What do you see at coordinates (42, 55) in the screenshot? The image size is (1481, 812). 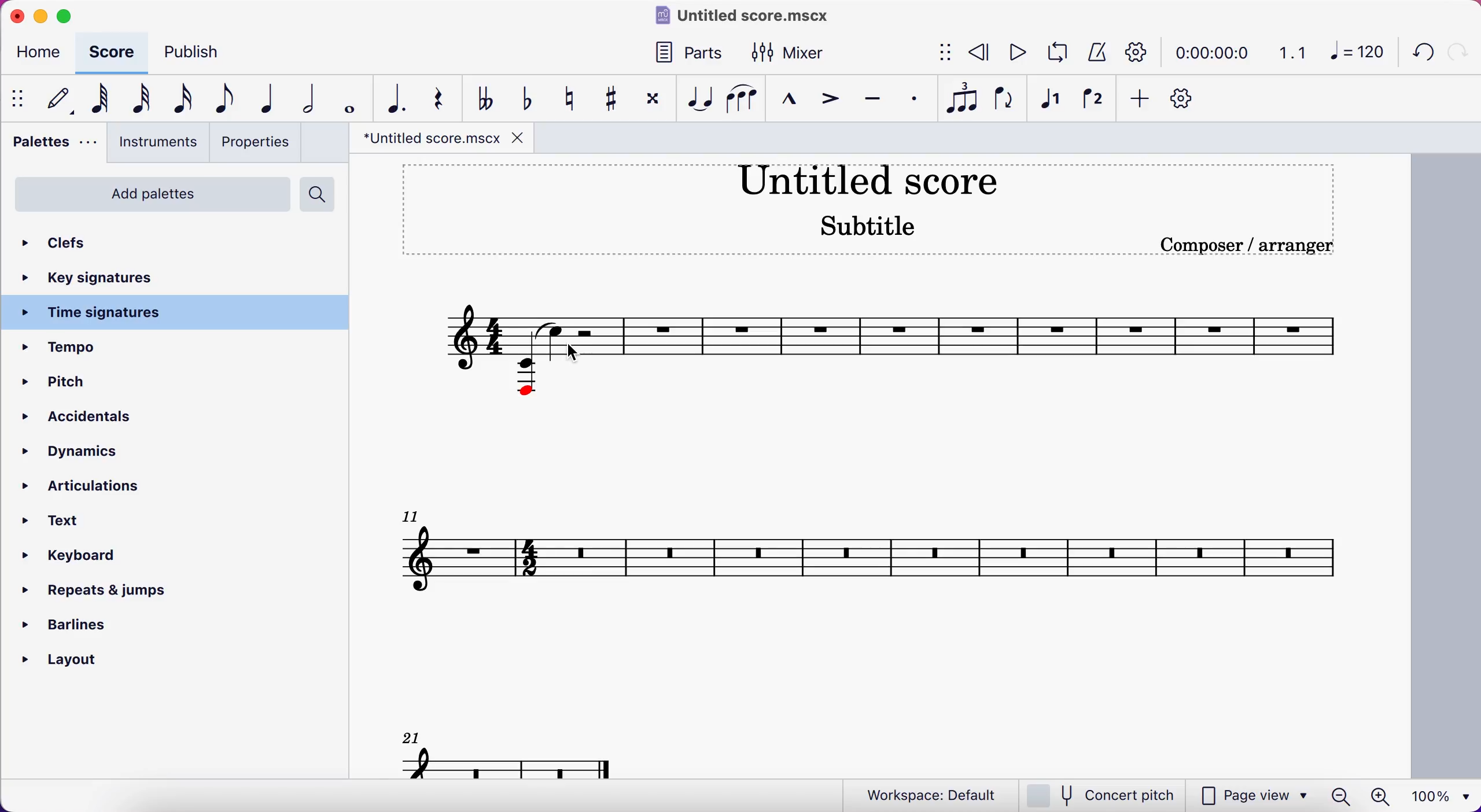 I see `home` at bounding box center [42, 55].